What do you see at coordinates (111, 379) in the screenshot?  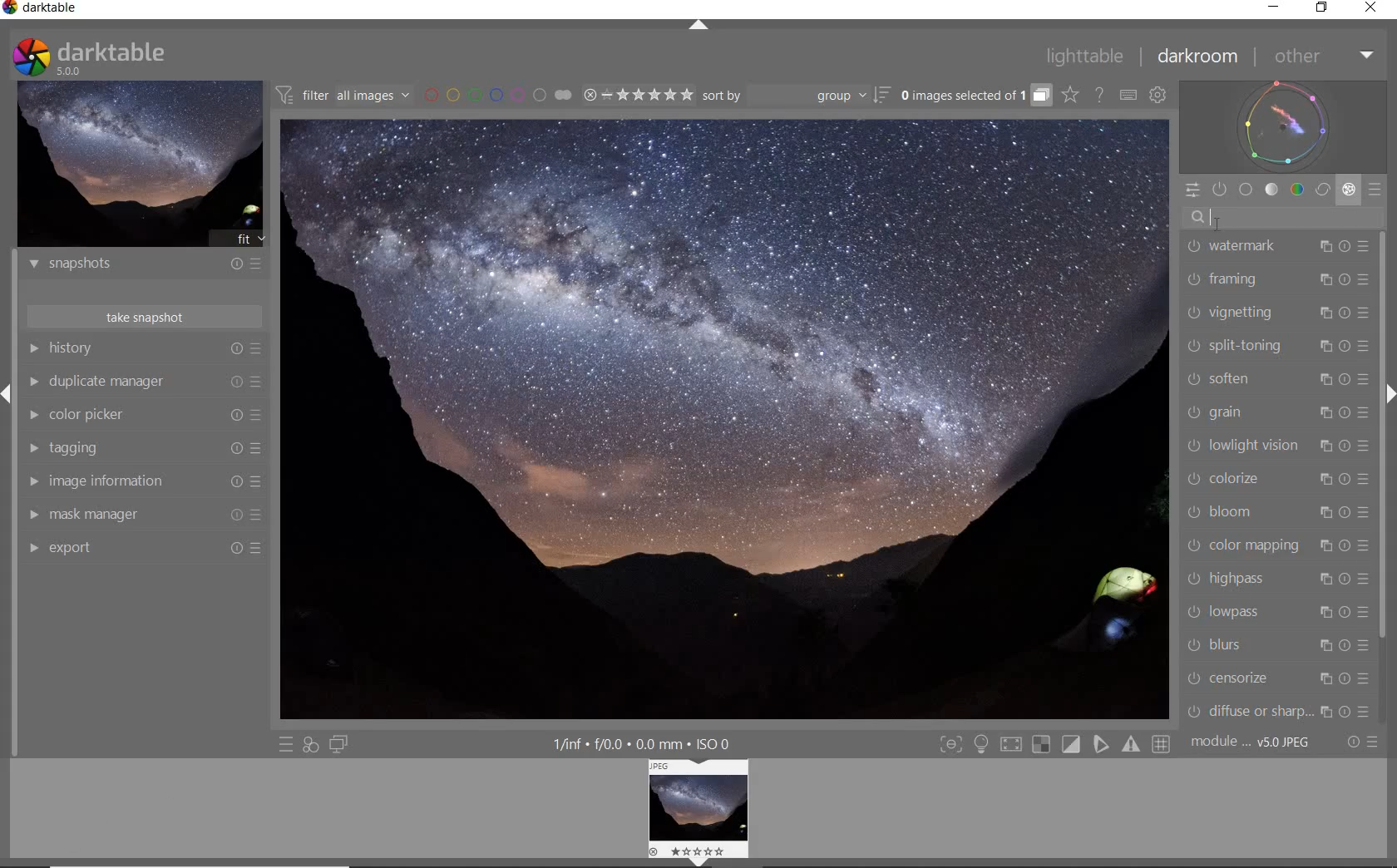 I see `Duplicate manager` at bounding box center [111, 379].